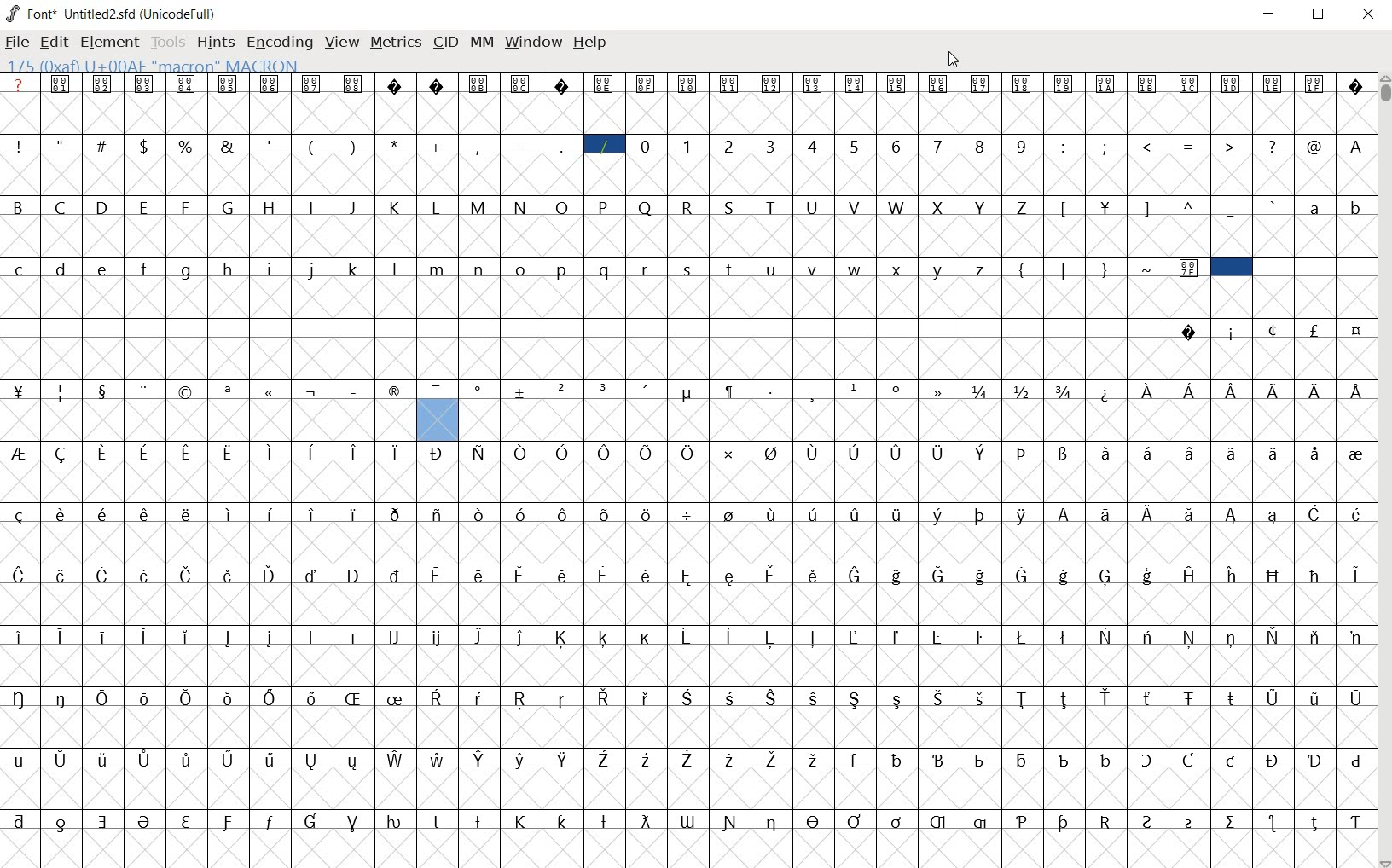  Describe the element at coordinates (271, 452) in the screenshot. I see `Symbol` at that location.